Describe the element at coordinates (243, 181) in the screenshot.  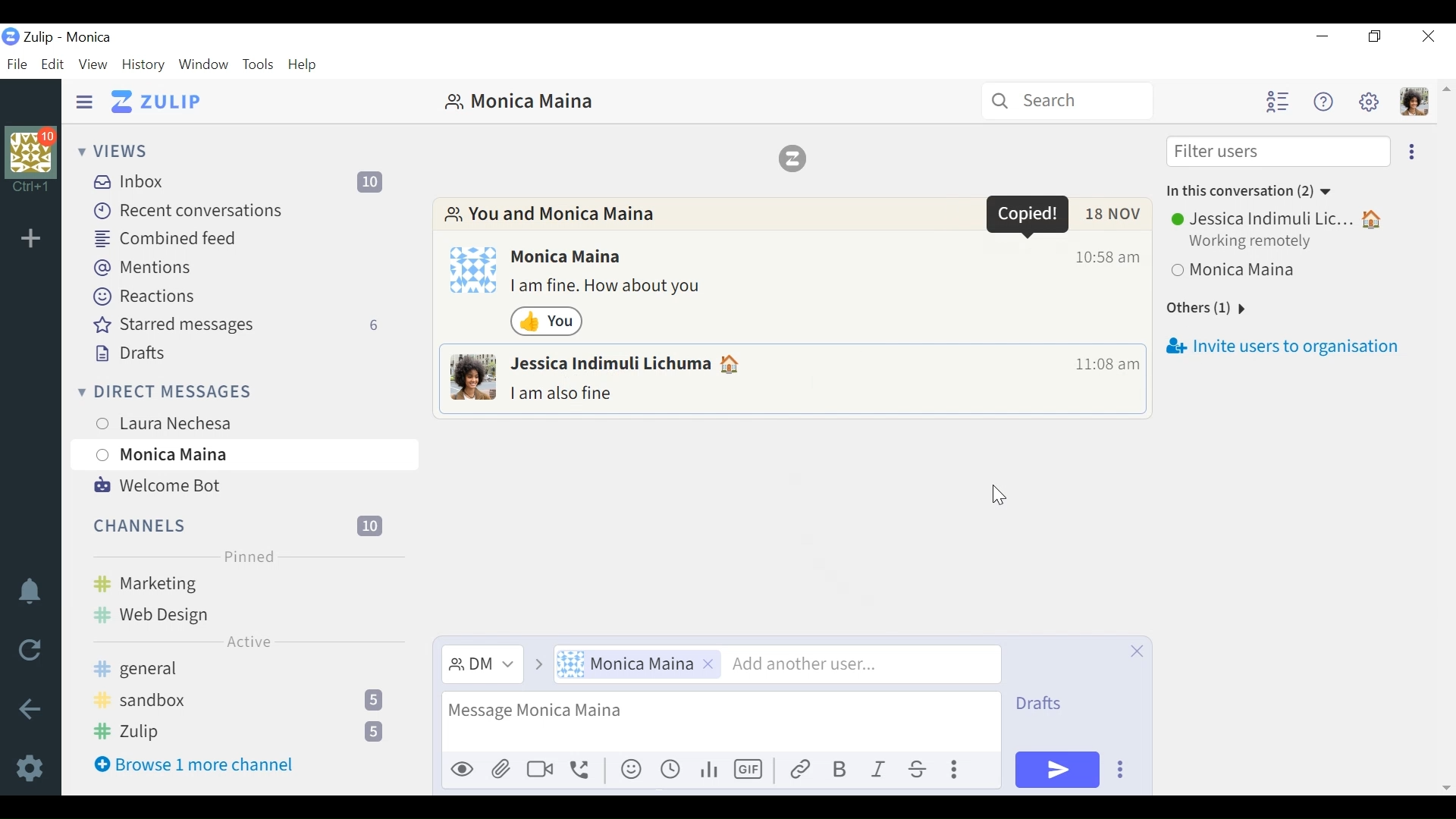
I see `Inbox` at that location.